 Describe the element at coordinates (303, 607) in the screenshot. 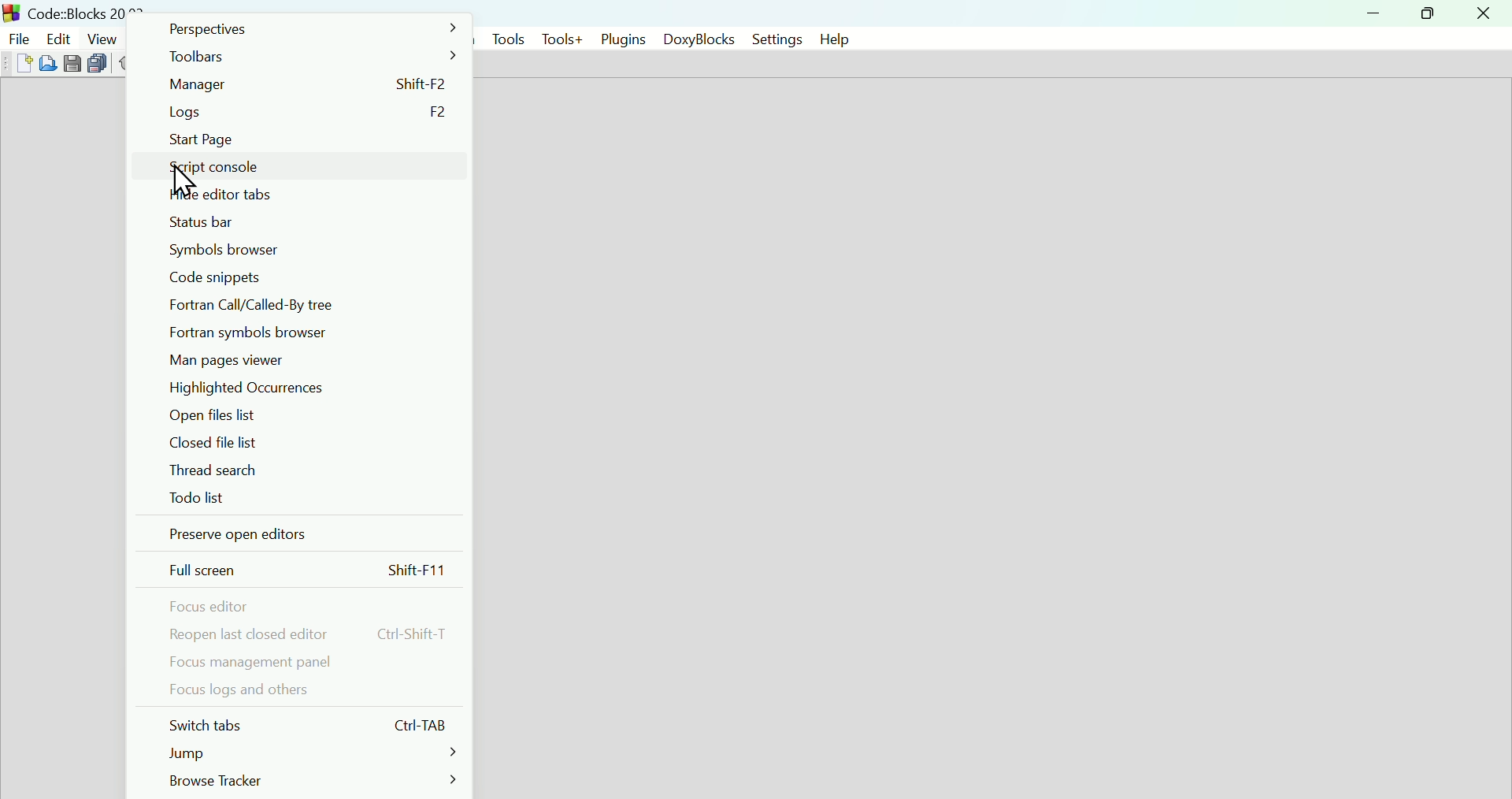

I see `Focus editor` at that location.